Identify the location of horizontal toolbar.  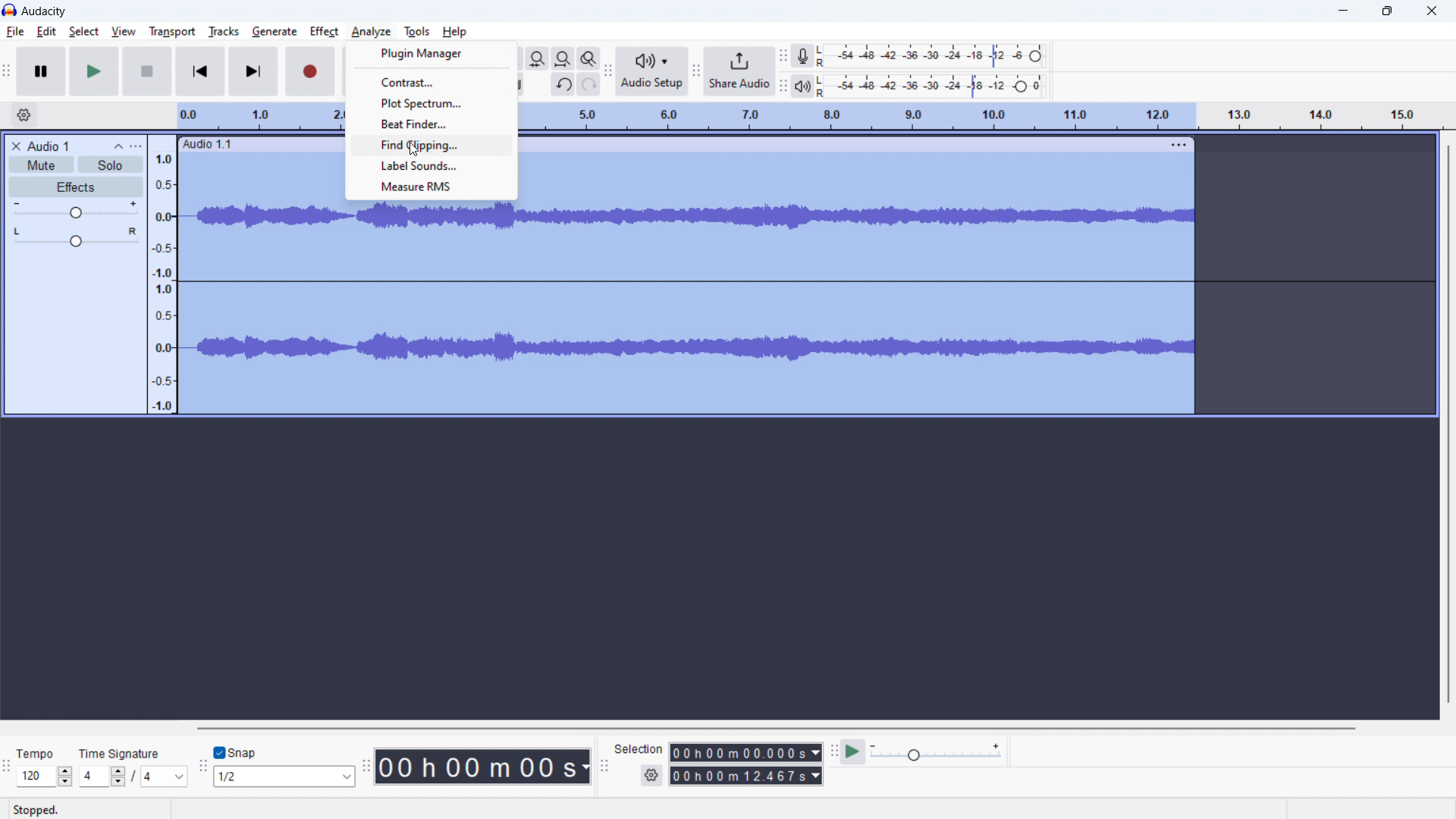
(778, 728).